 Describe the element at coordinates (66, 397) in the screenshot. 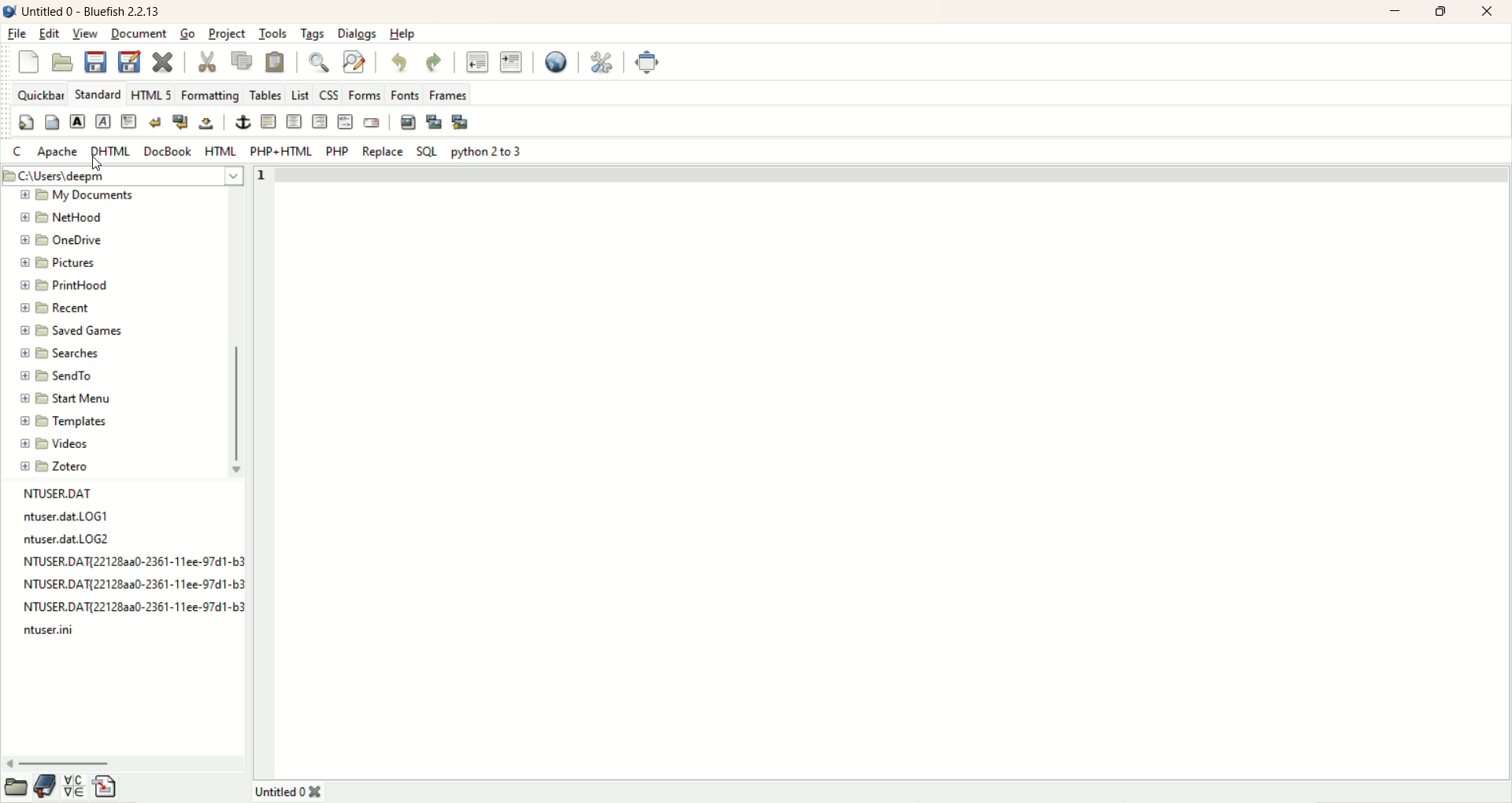

I see `start menu` at that location.